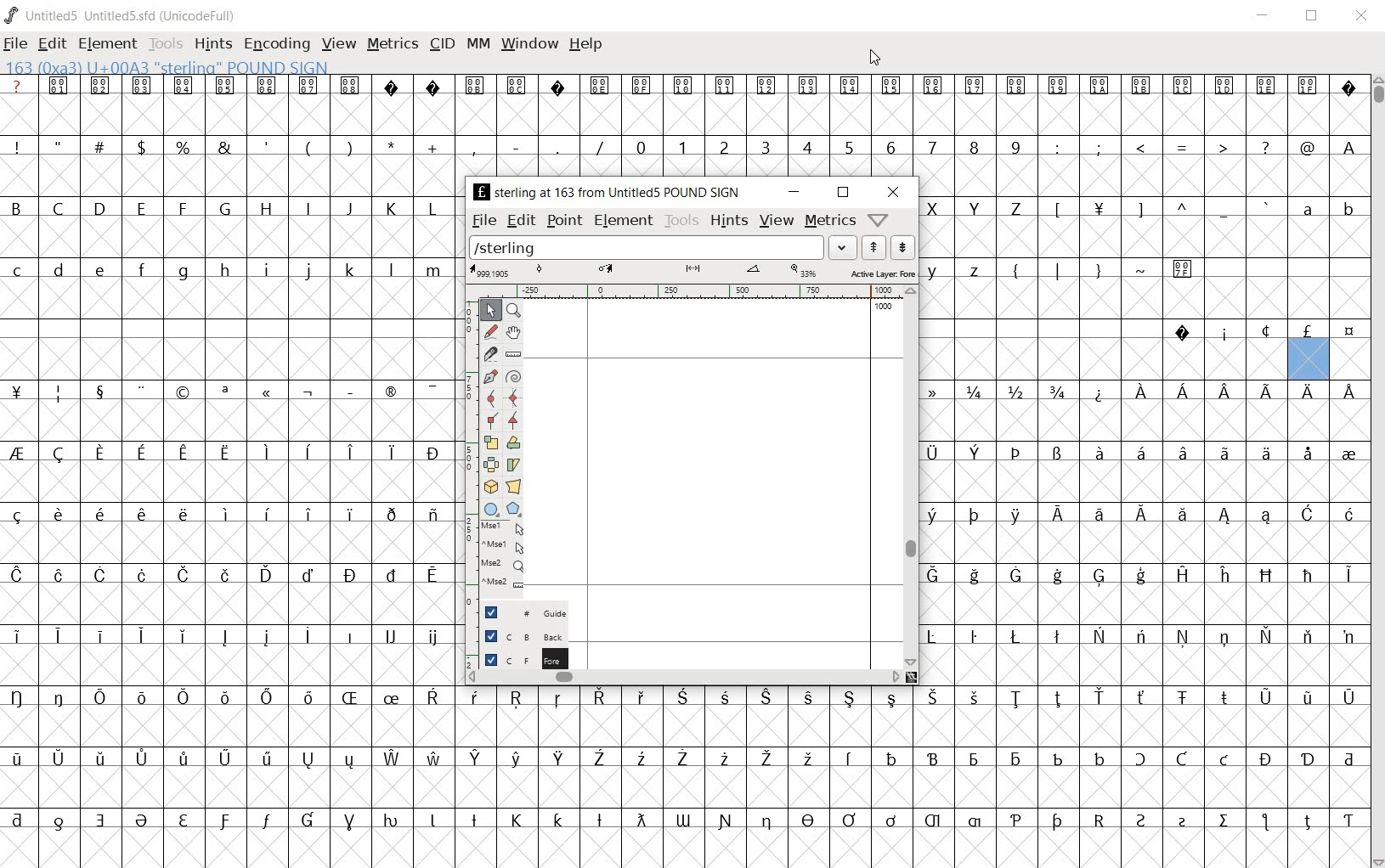 The height and width of the screenshot is (868, 1385). What do you see at coordinates (975, 821) in the screenshot?
I see `Symbol` at bounding box center [975, 821].